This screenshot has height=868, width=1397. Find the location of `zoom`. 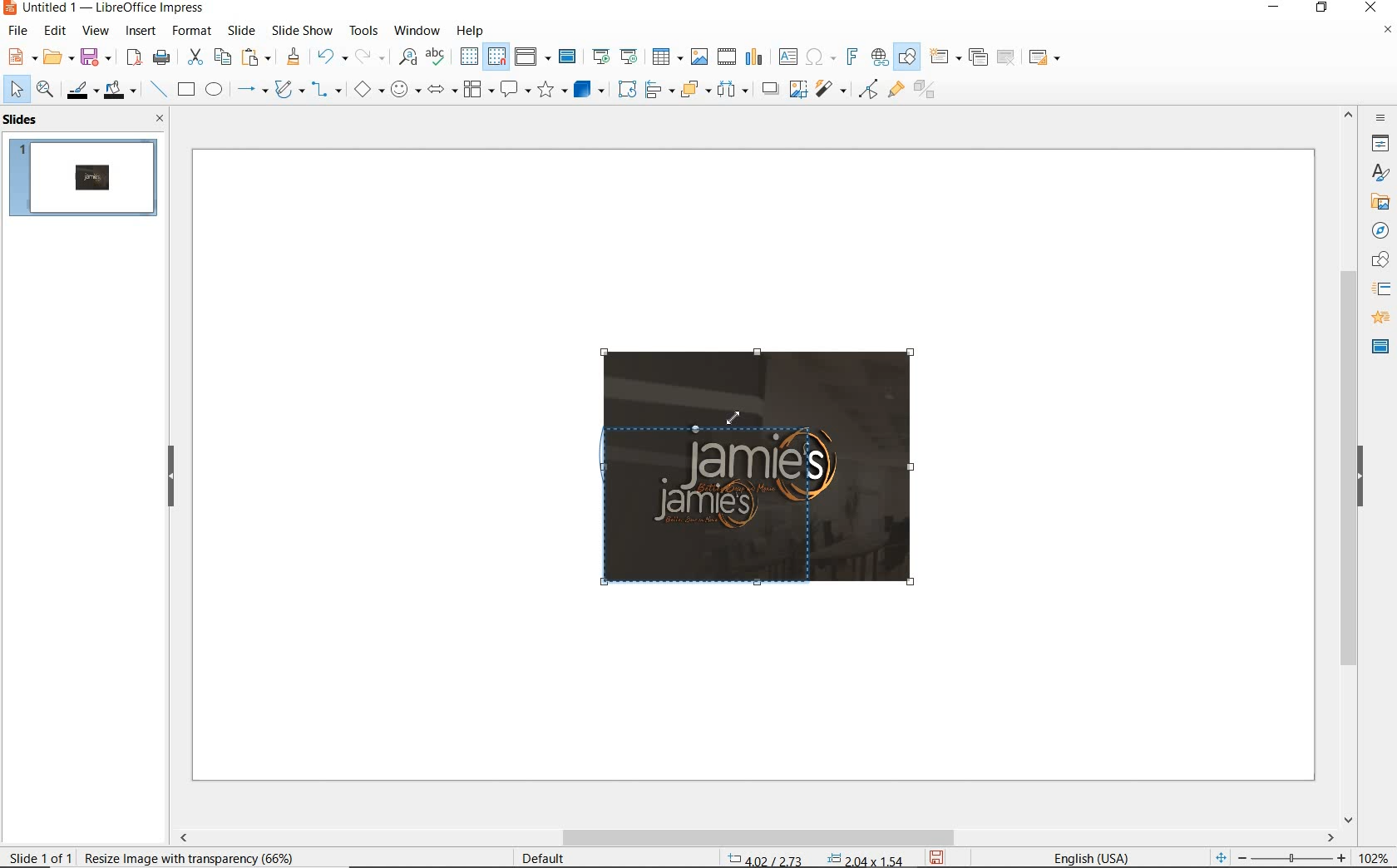

zoom is located at coordinates (1296, 858).